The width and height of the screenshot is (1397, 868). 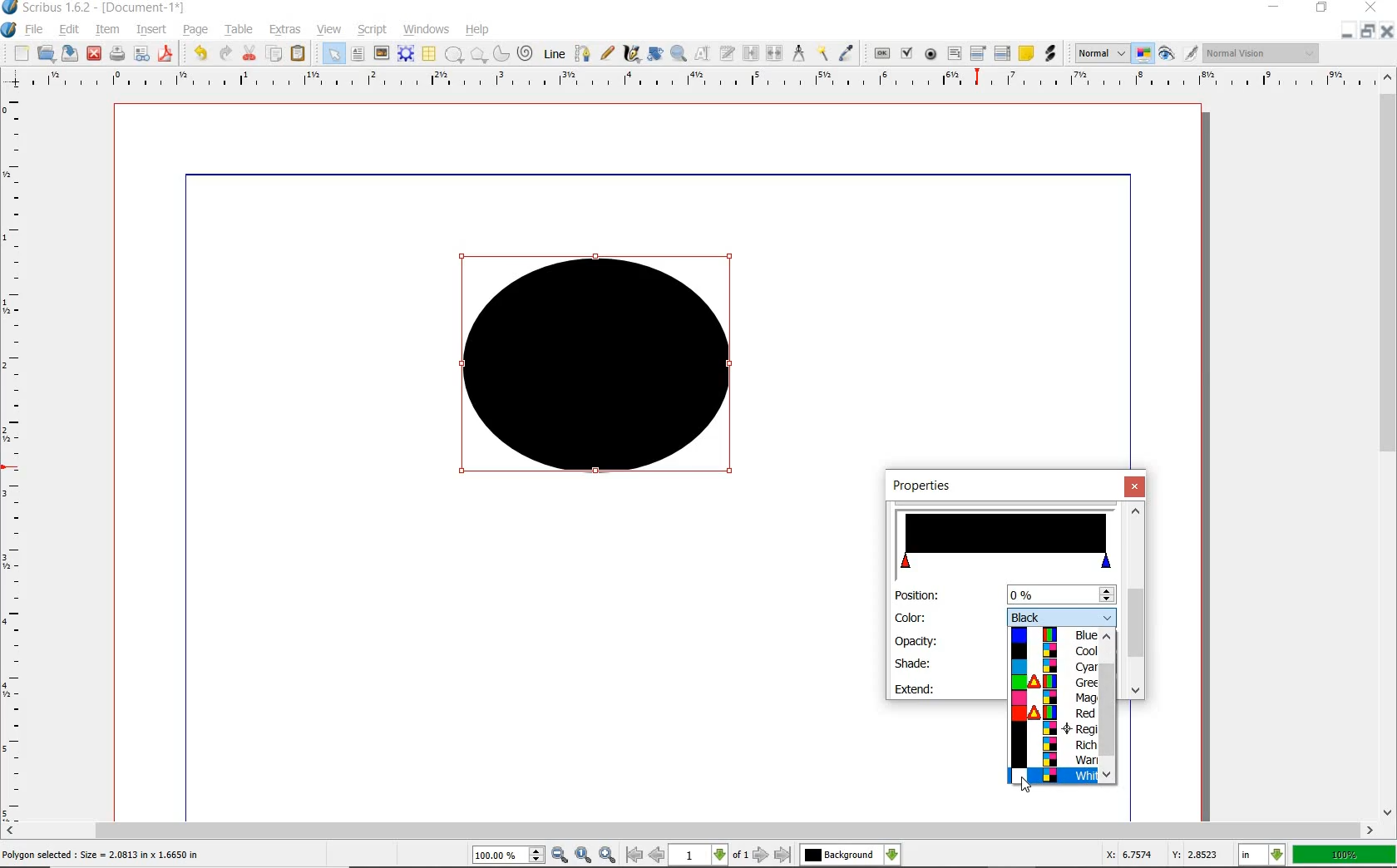 What do you see at coordinates (70, 53) in the screenshot?
I see `SAVE` at bounding box center [70, 53].